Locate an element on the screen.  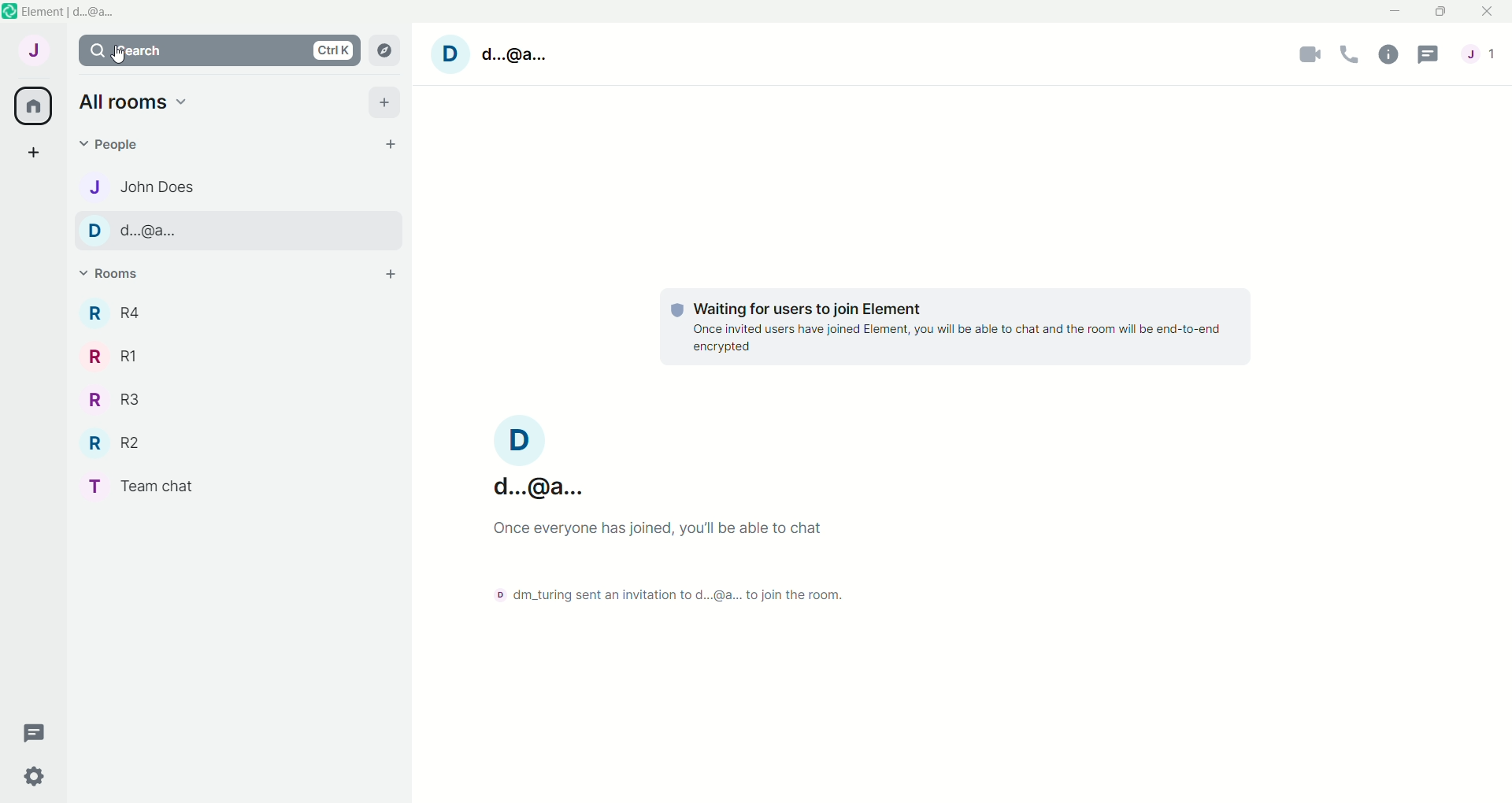
d..@a.. is located at coordinates (513, 52).